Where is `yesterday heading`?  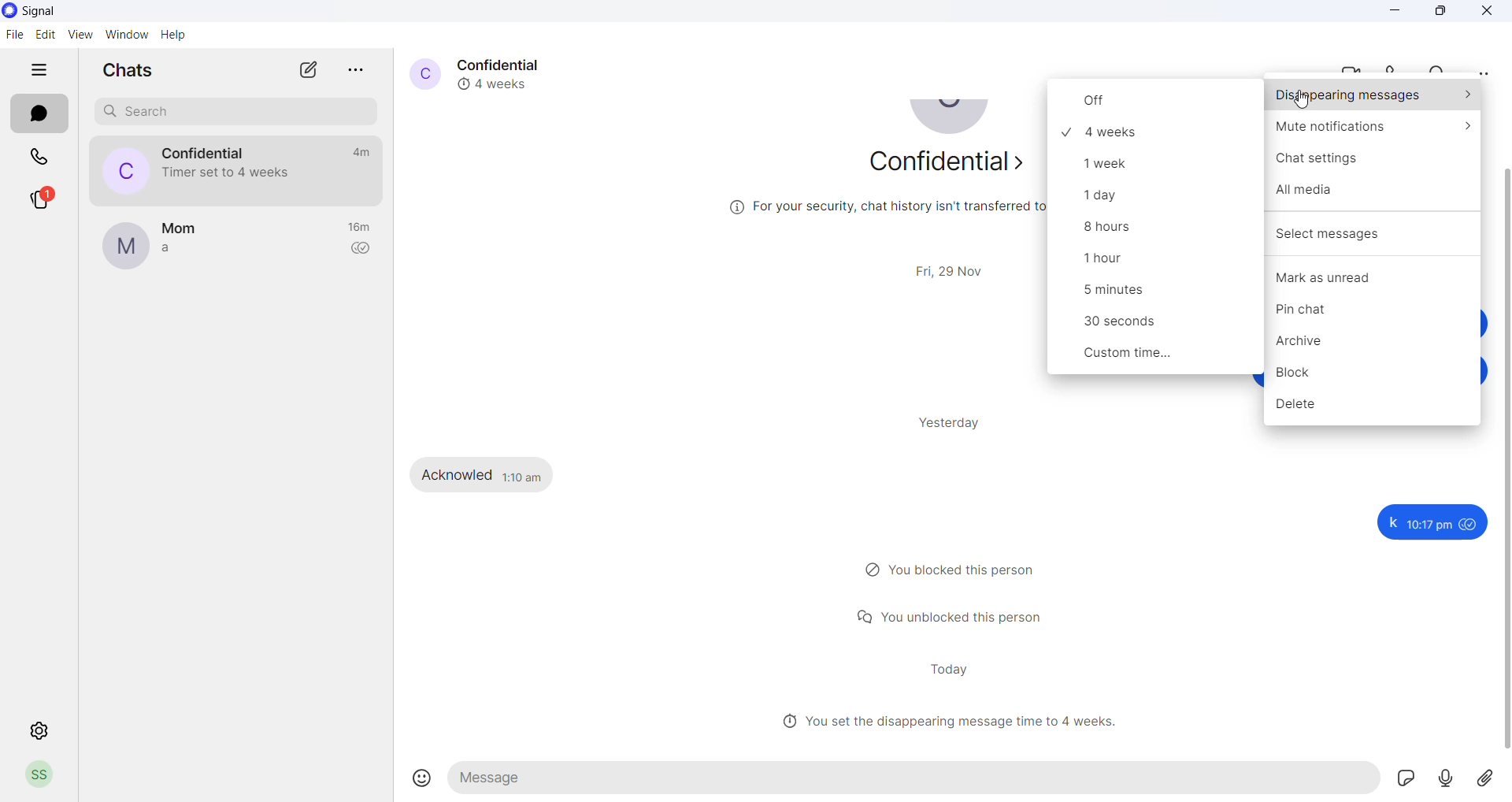
yesterday heading is located at coordinates (958, 422).